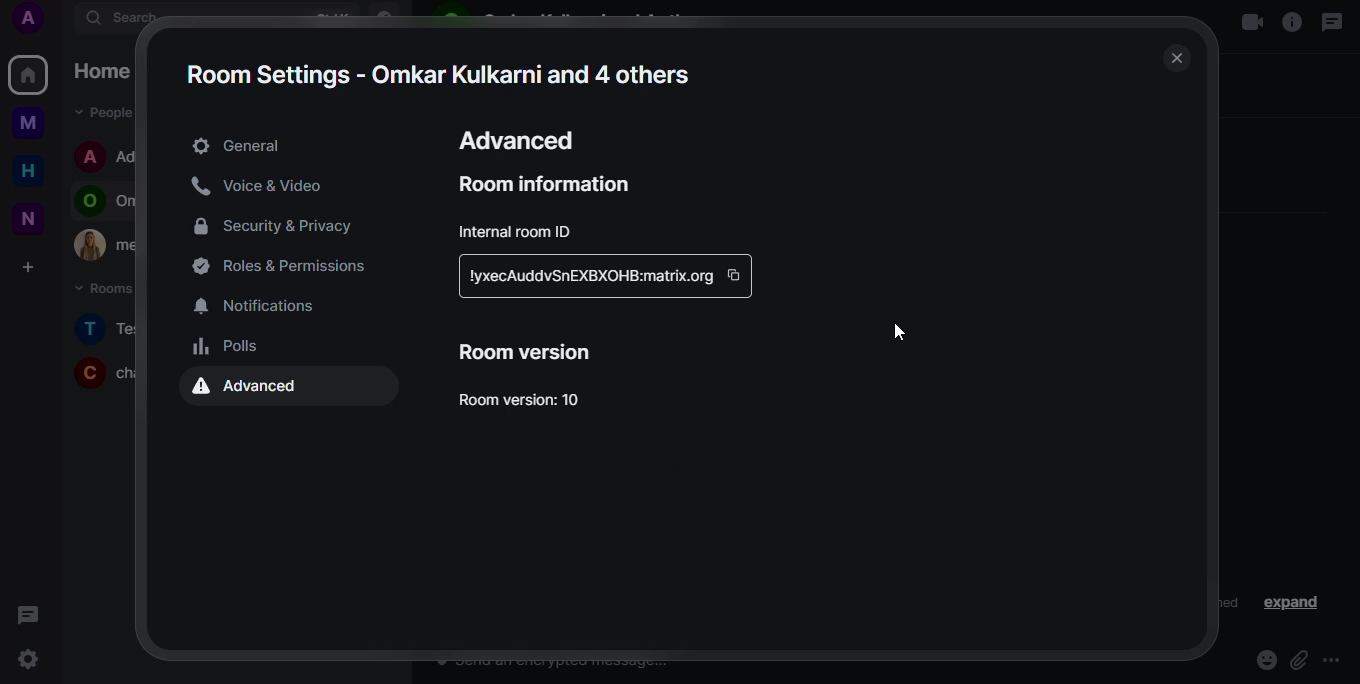 This screenshot has height=684, width=1360. Describe the element at coordinates (1334, 23) in the screenshot. I see `threads` at that location.